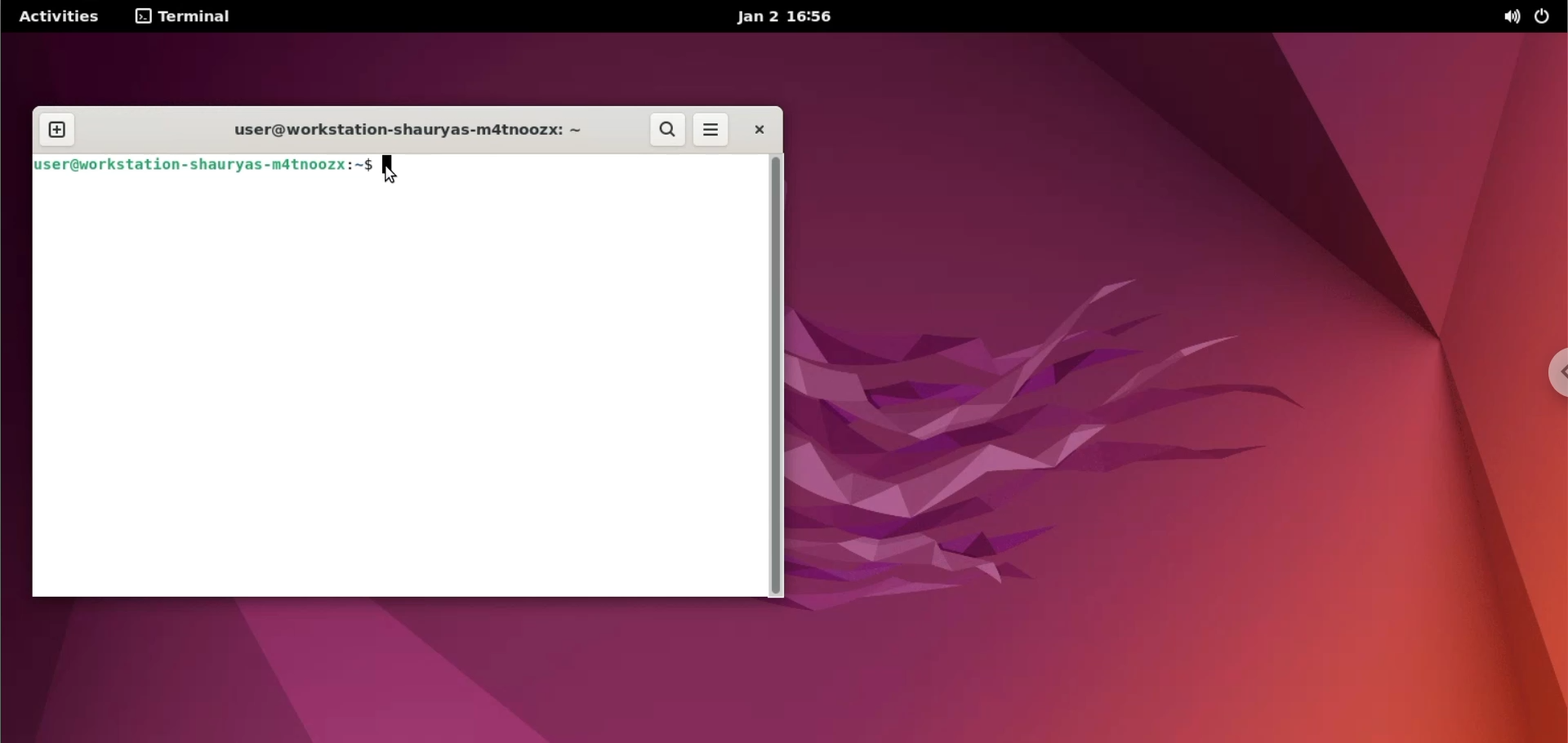 The image size is (1568, 743). I want to click on search, so click(664, 129).